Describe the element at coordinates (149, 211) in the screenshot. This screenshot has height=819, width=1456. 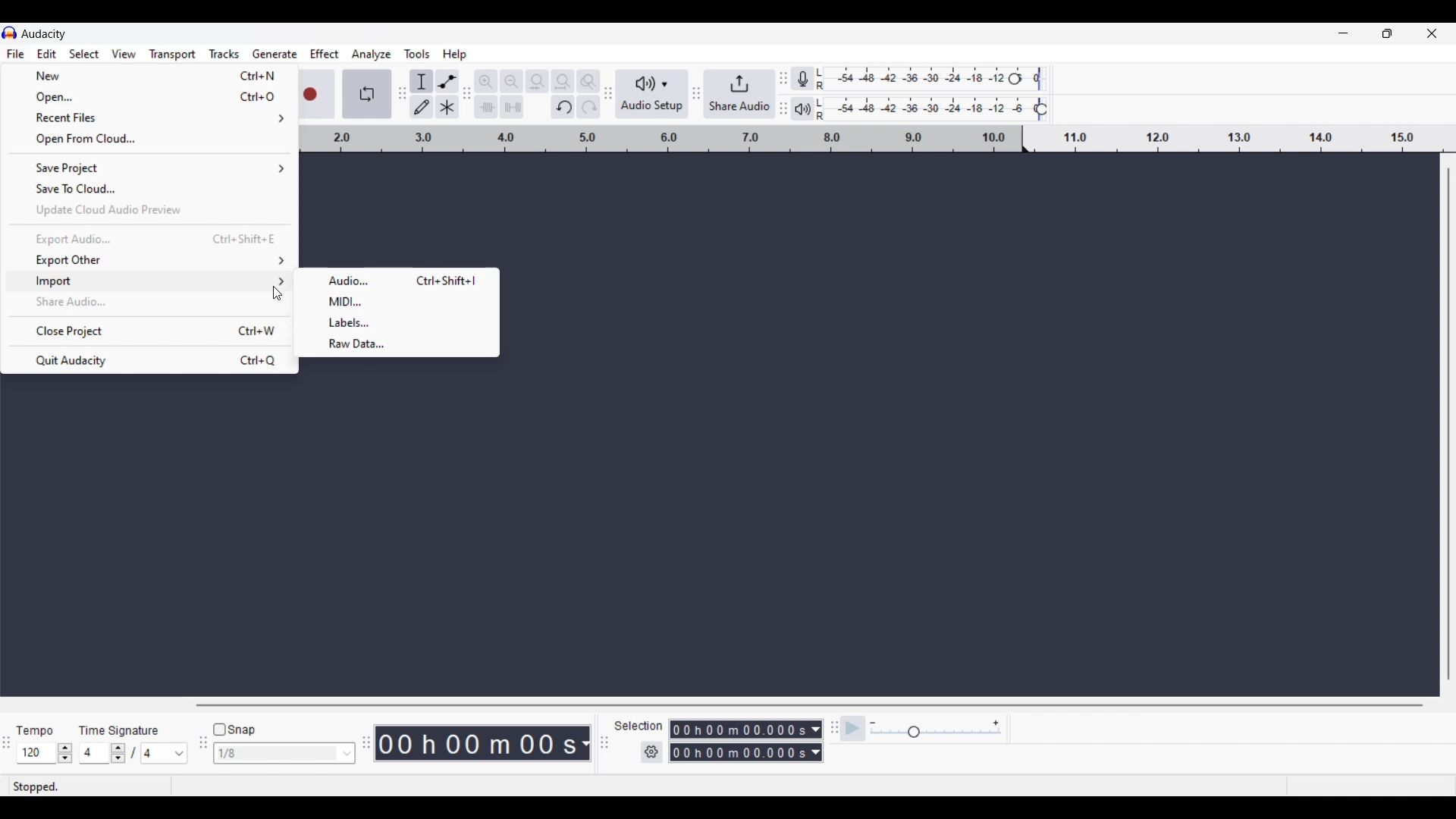
I see `Update cloud audio preview` at that location.